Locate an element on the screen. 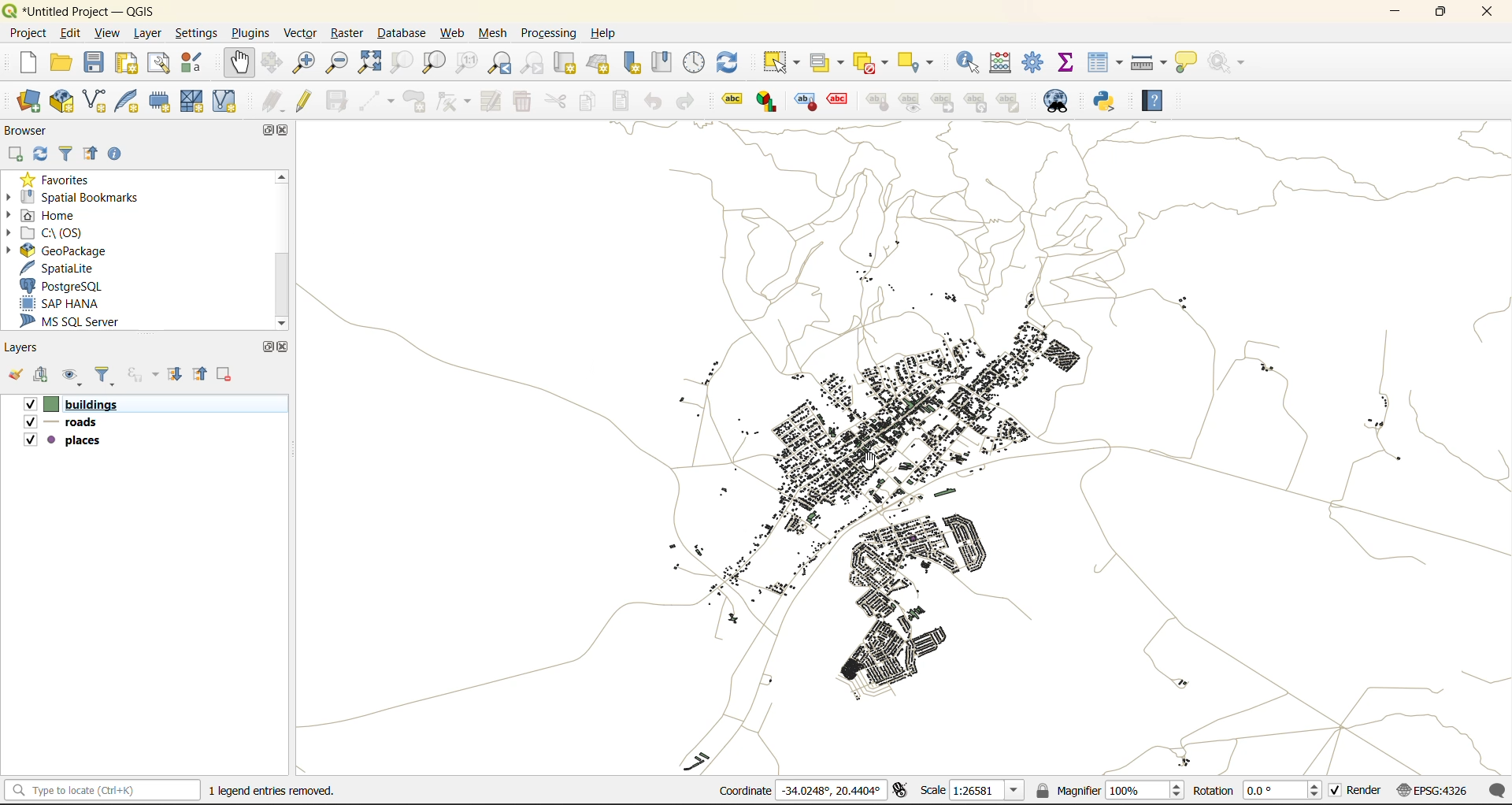 This screenshot has height=805, width=1512. collapse all is located at coordinates (203, 374).